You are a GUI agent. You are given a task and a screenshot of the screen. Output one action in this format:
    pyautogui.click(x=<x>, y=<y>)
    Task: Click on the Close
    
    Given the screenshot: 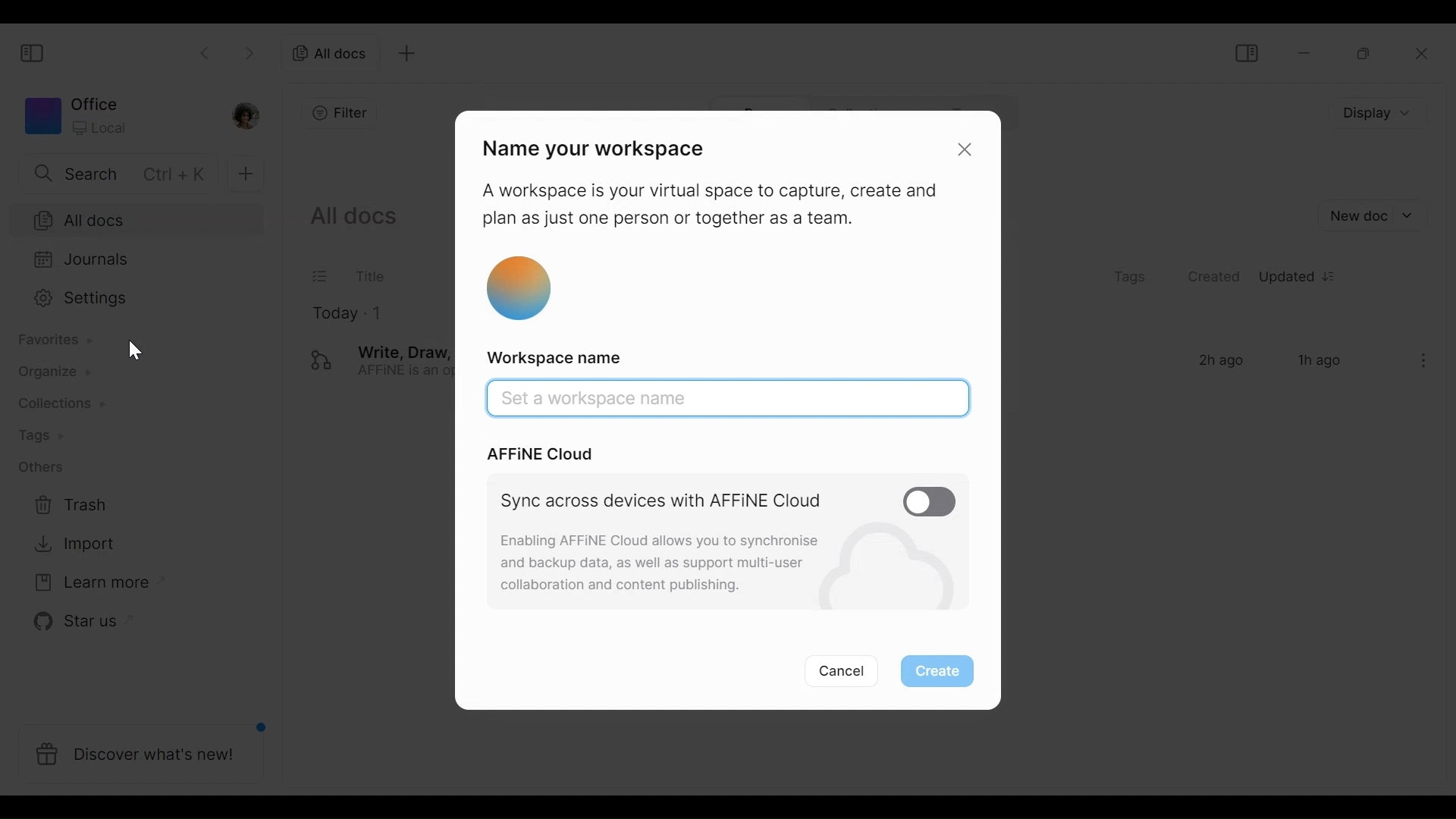 What is the action you would take?
    pyautogui.click(x=1421, y=52)
    